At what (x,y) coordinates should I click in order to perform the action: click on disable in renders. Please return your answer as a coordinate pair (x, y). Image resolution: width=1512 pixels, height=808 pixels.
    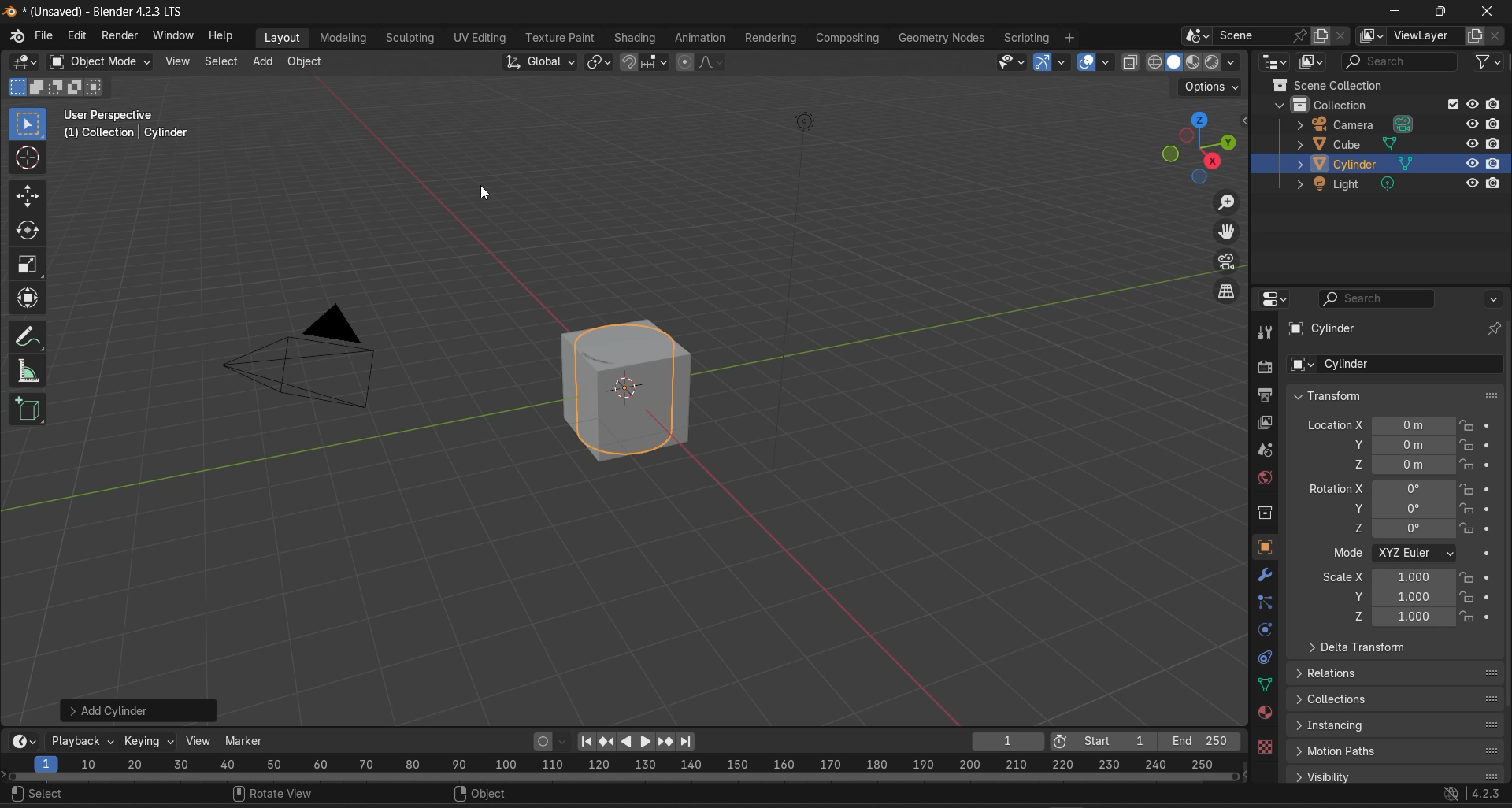
    Looking at the image, I should click on (1496, 165).